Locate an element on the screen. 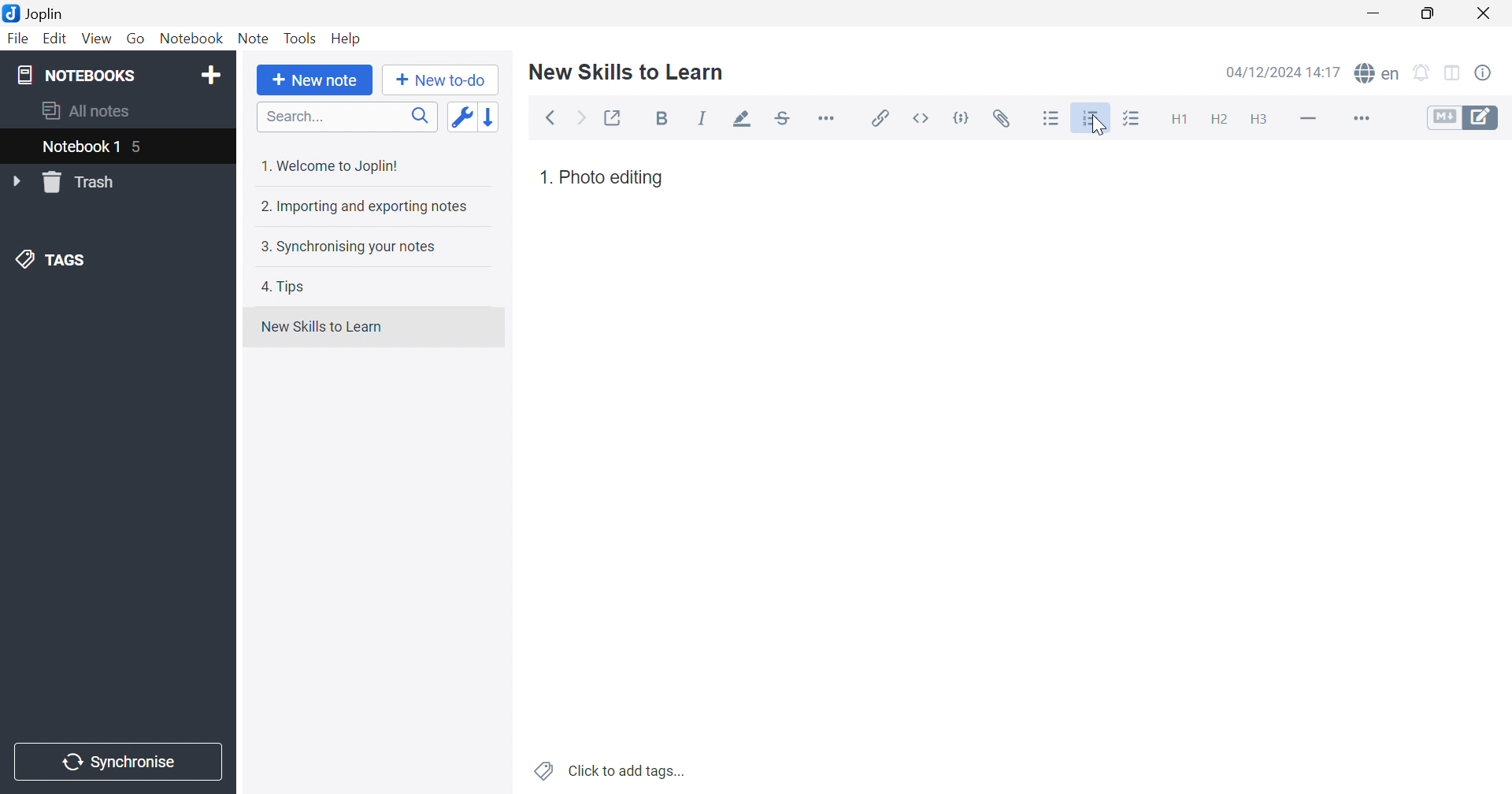 The height and width of the screenshot is (794, 1512). 1. Welcome to Joplin is located at coordinates (328, 165).